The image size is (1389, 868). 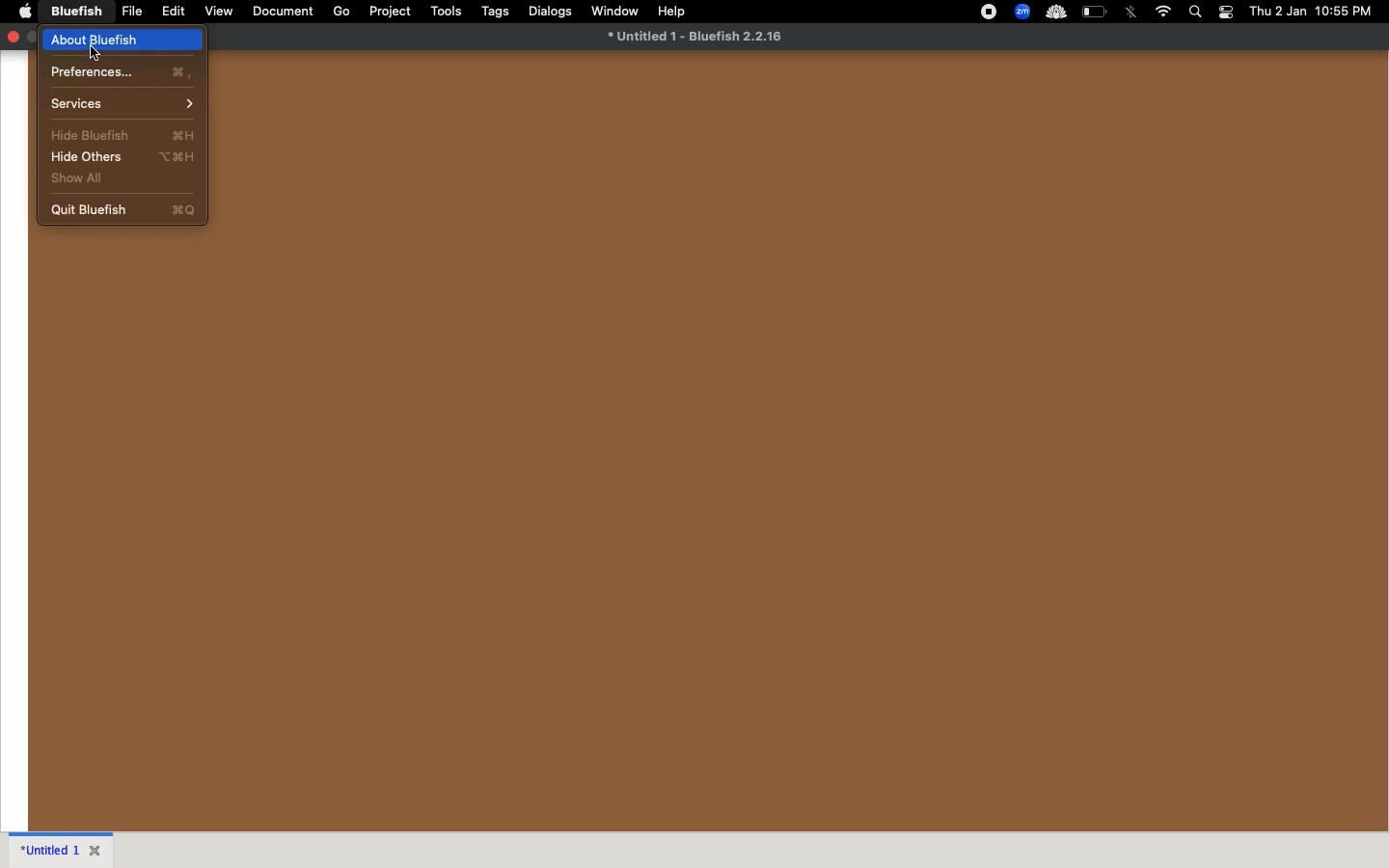 What do you see at coordinates (340, 12) in the screenshot?
I see `go` at bounding box center [340, 12].